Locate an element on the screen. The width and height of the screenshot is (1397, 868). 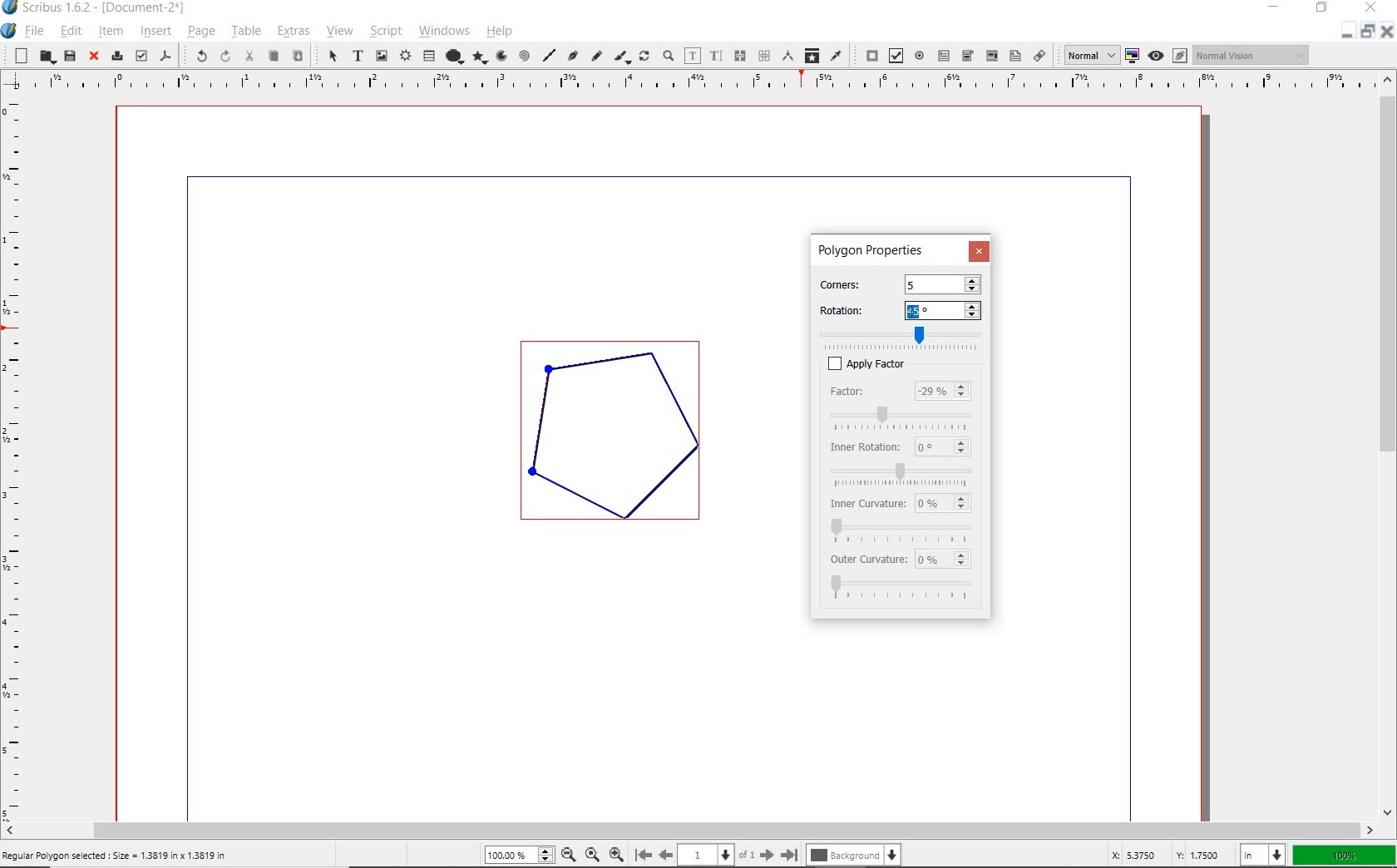
inner curvature input is located at coordinates (944, 501).